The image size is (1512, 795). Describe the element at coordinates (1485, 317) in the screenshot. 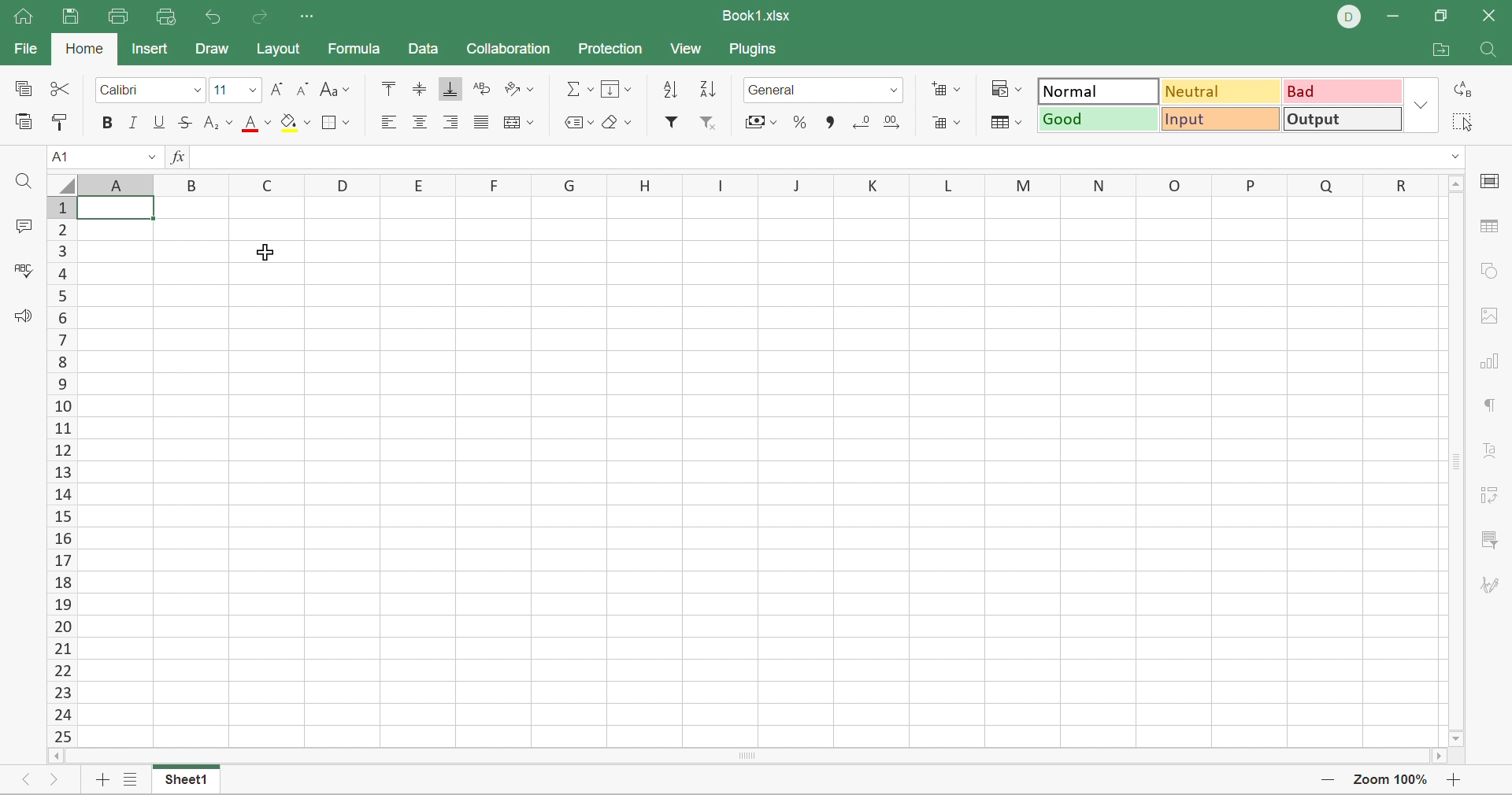

I see `images settings` at that location.